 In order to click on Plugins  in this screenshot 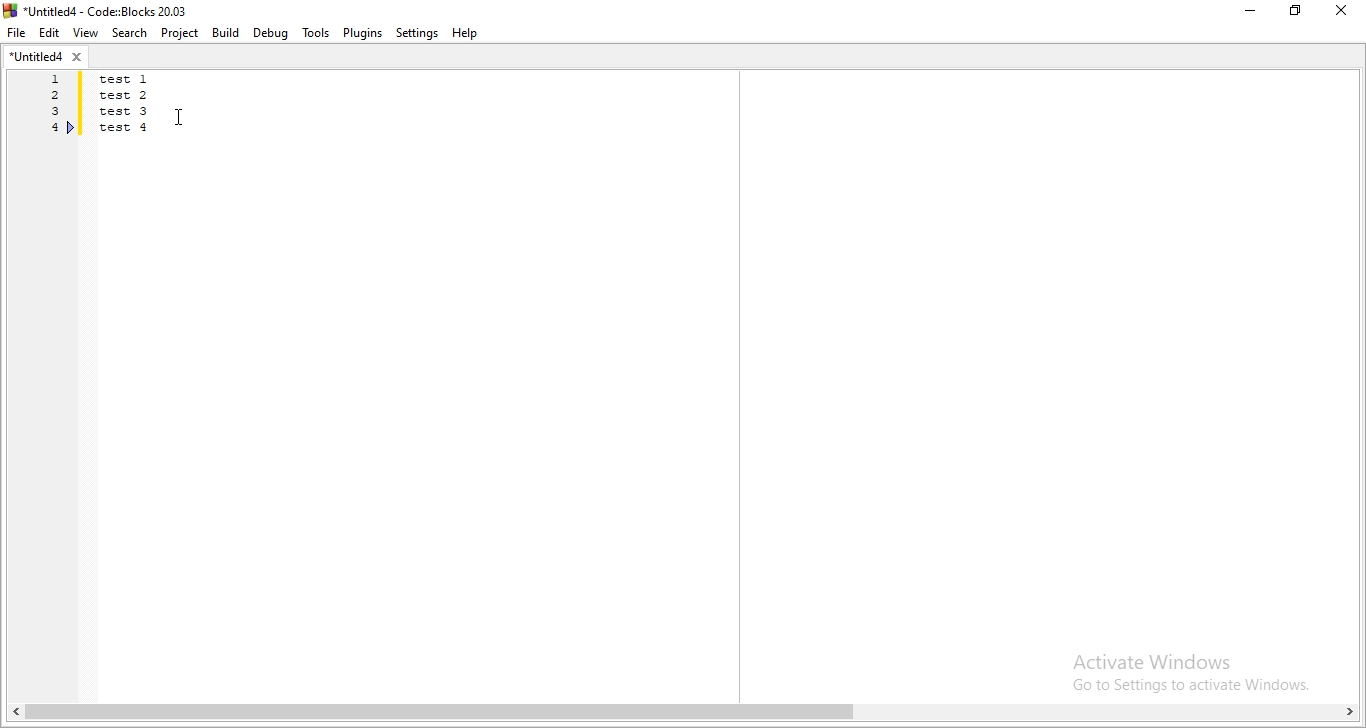, I will do `click(363, 33)`.